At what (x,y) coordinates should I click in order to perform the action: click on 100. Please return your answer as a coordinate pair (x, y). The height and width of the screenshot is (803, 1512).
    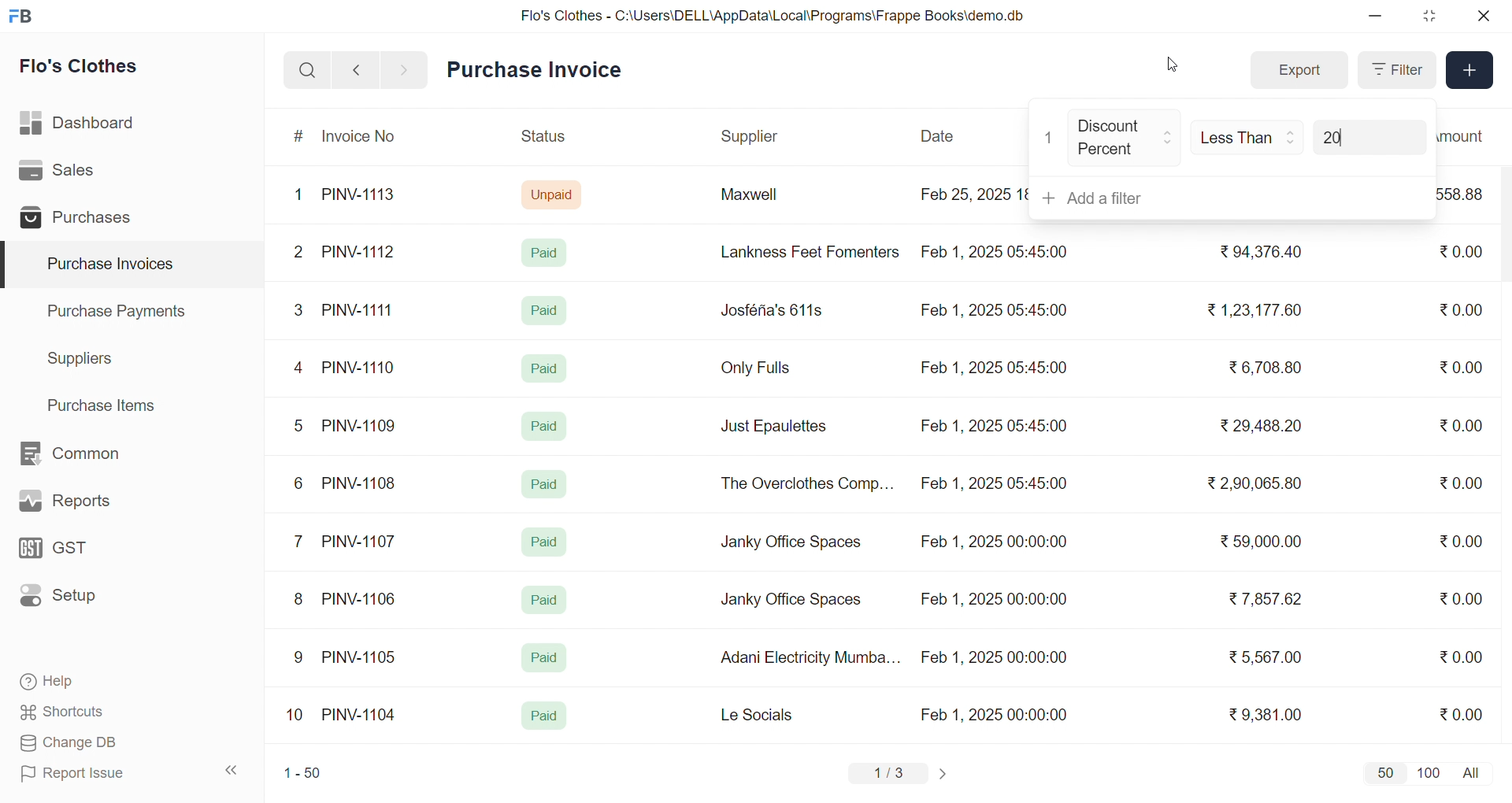
    Looking at the image, I should click on (1426, 772).